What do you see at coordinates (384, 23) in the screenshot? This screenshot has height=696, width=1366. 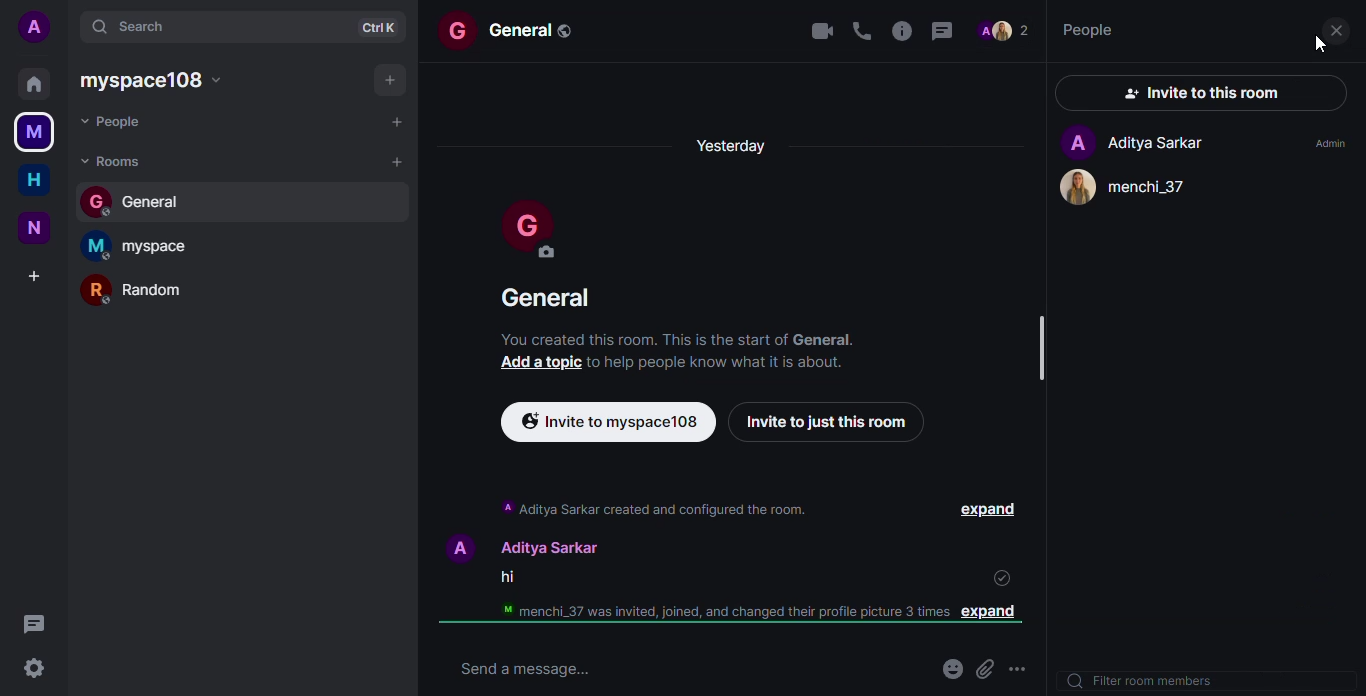 I see `ctrl+k` at bounding box center [384, 23].